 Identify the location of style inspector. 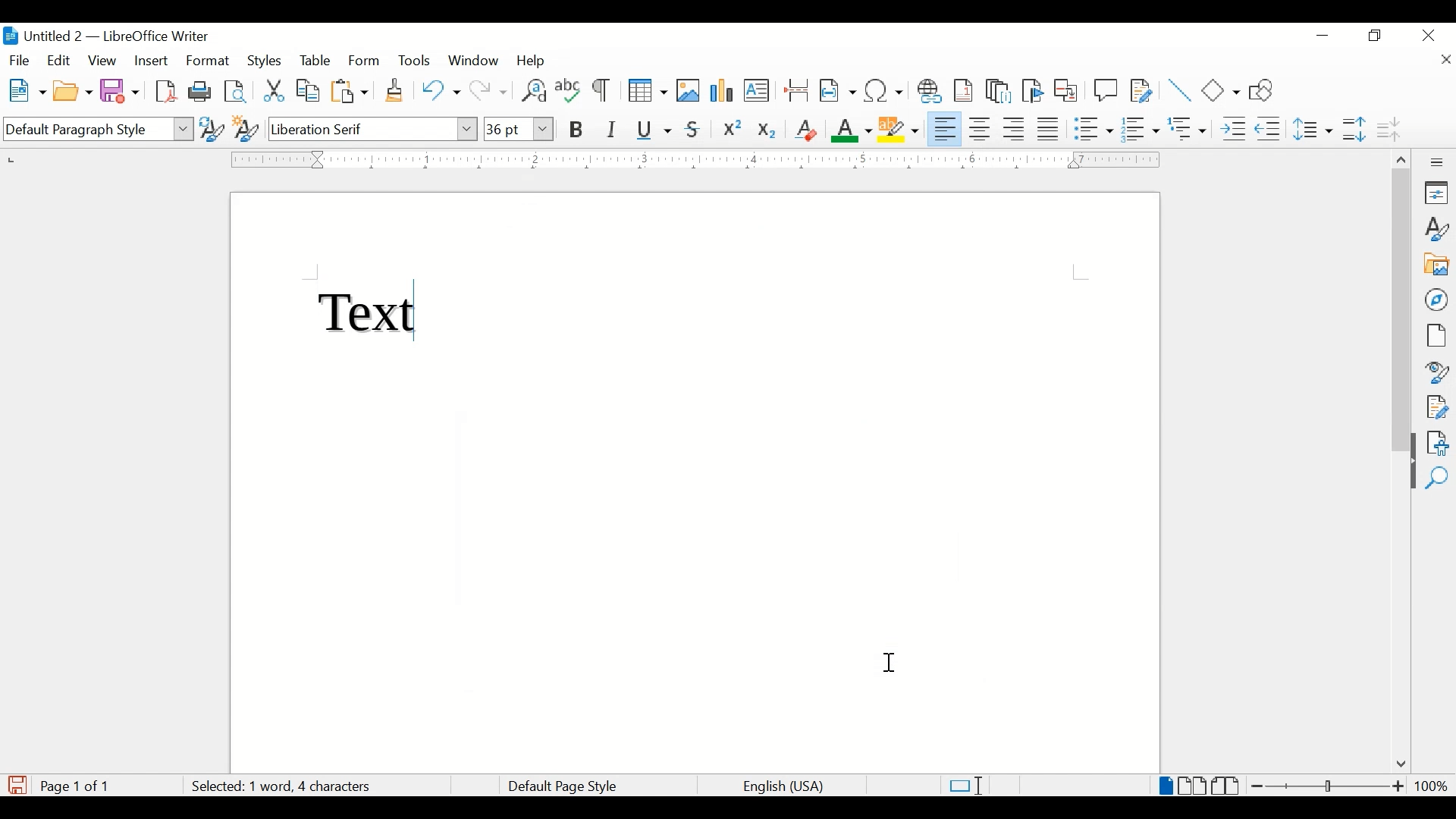
(1438, 370).